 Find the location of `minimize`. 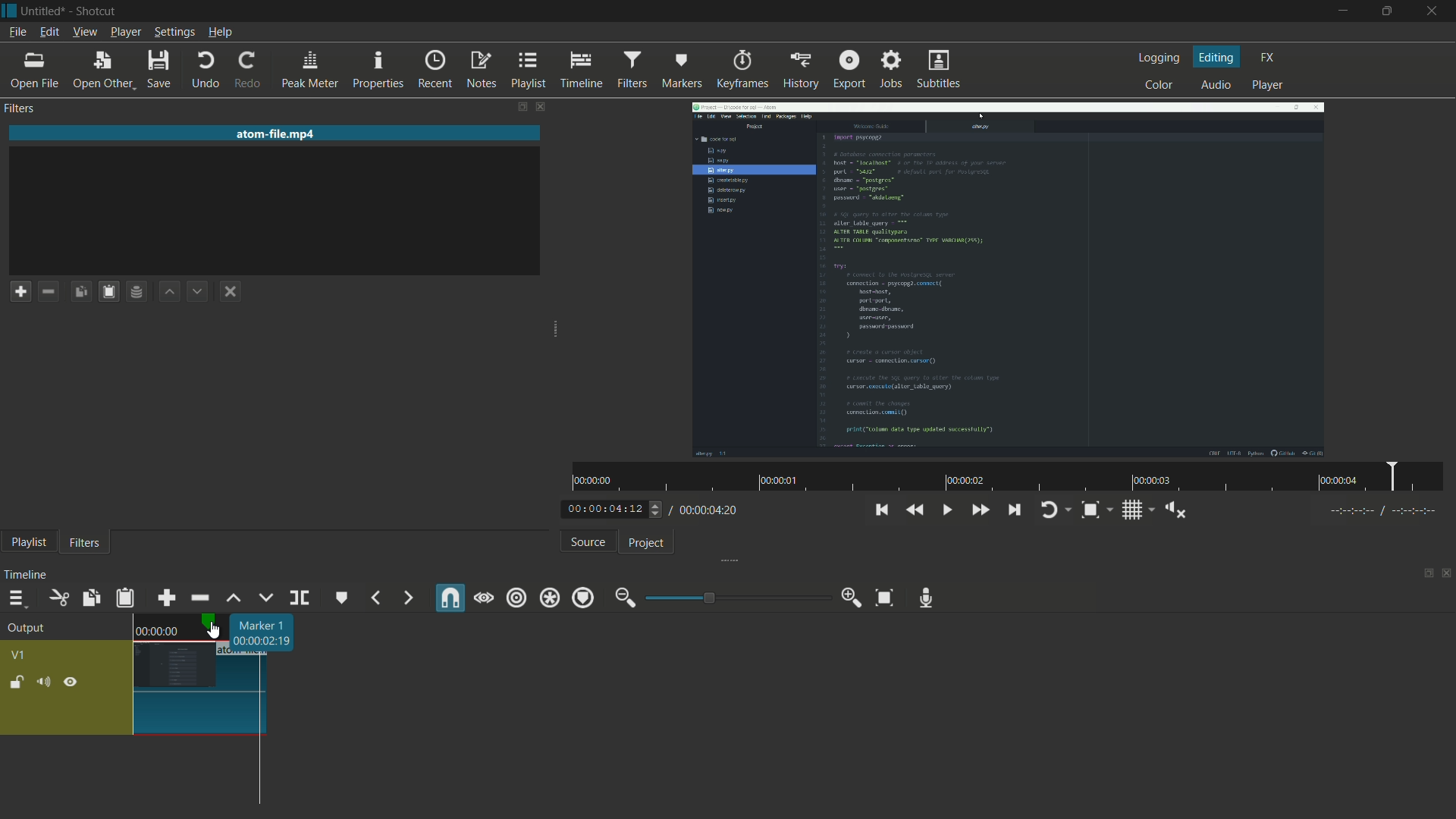

minimize is located at coordinates (1338, 11).